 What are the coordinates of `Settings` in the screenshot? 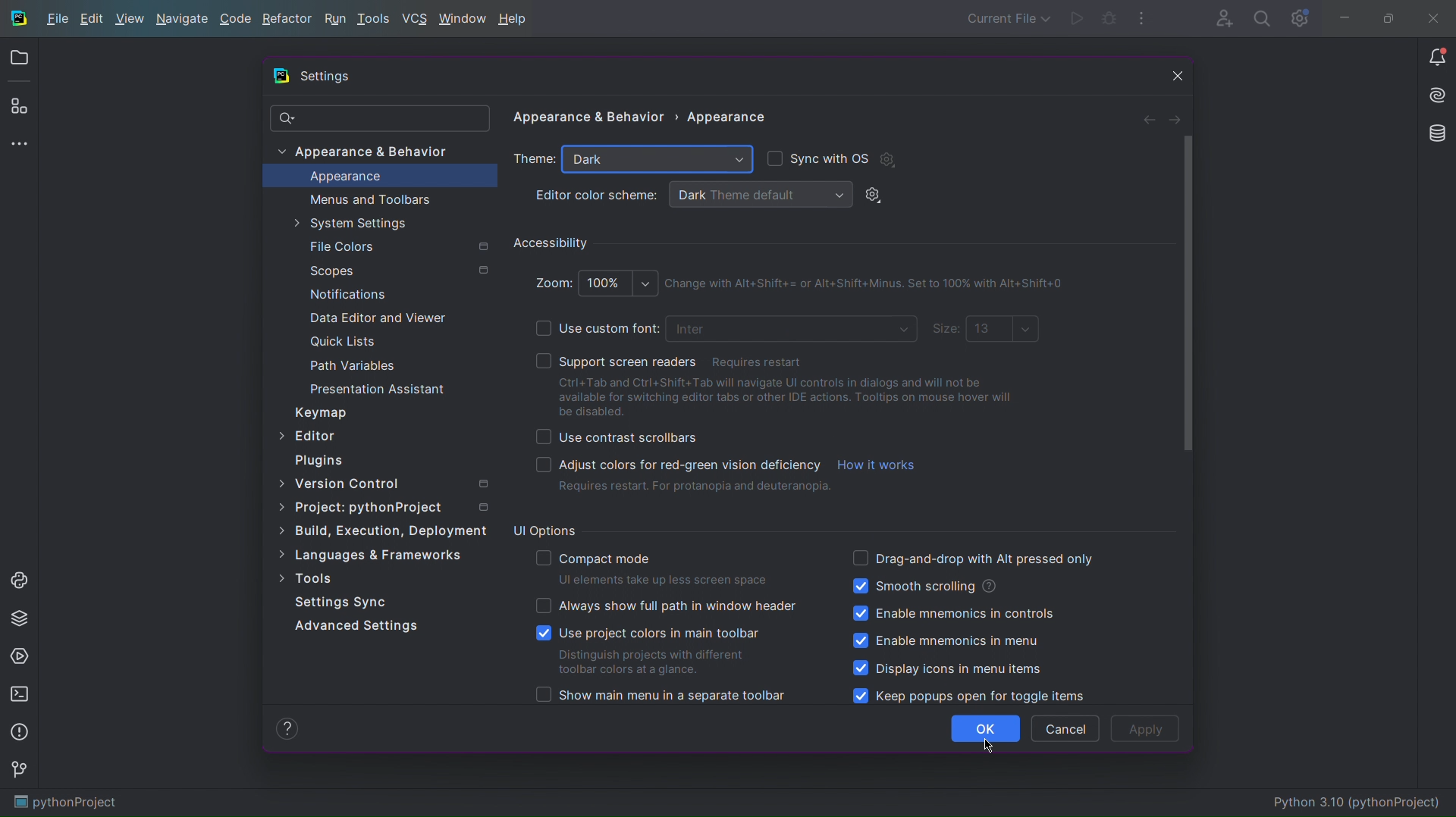 It's located at (1299, 17).